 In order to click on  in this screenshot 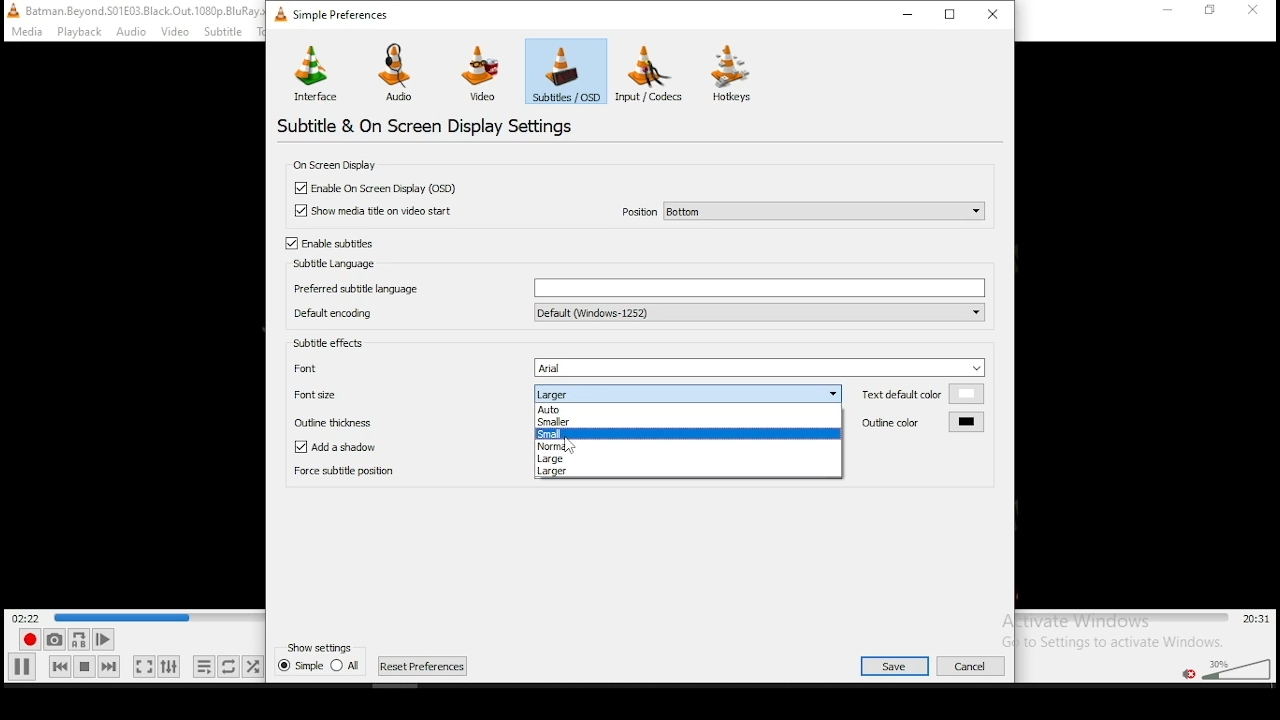, I will do `click(119, 614)`.